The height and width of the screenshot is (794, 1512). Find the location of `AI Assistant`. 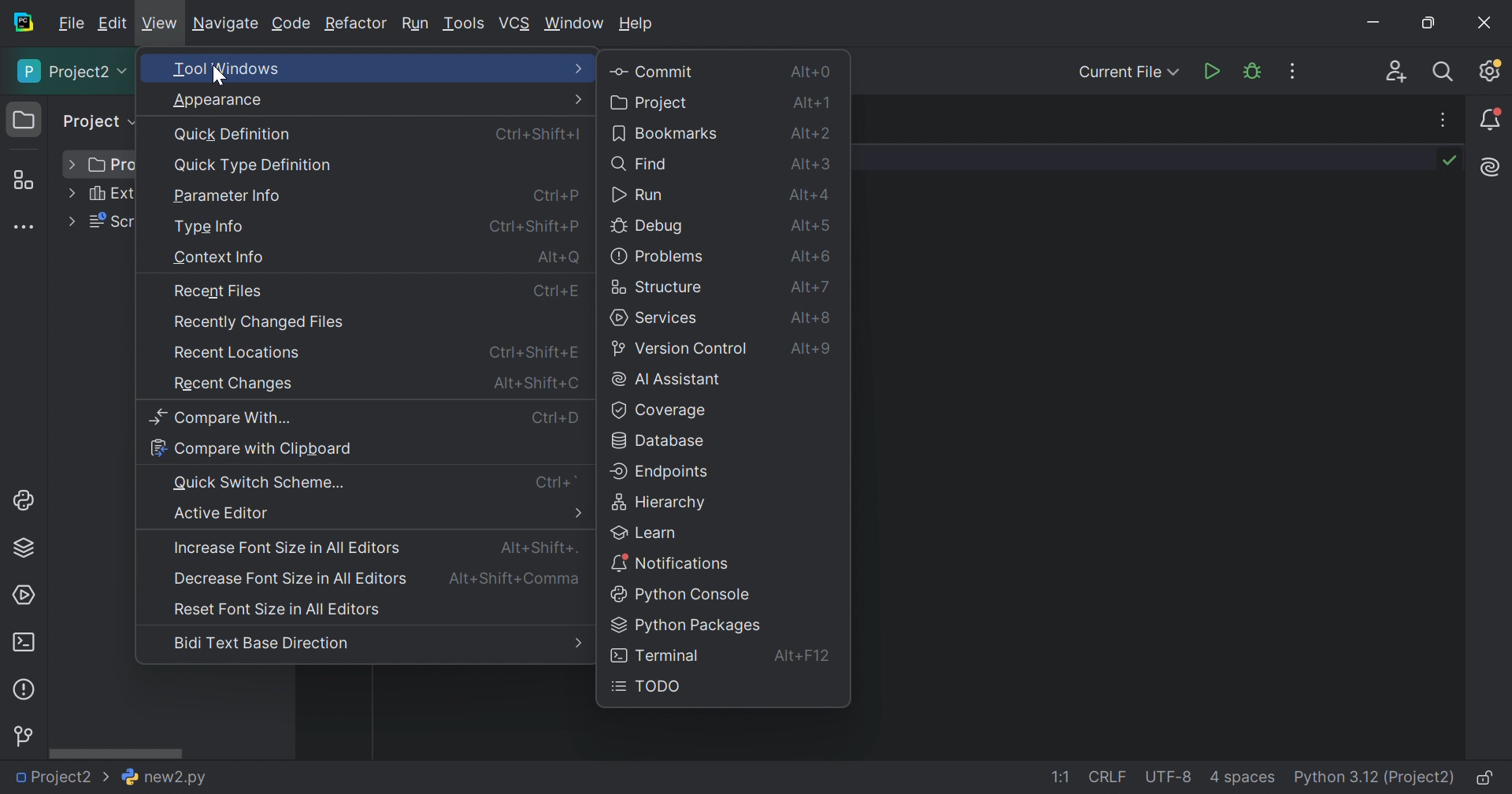

AI Assistant is located at coordinates (1492, 167).